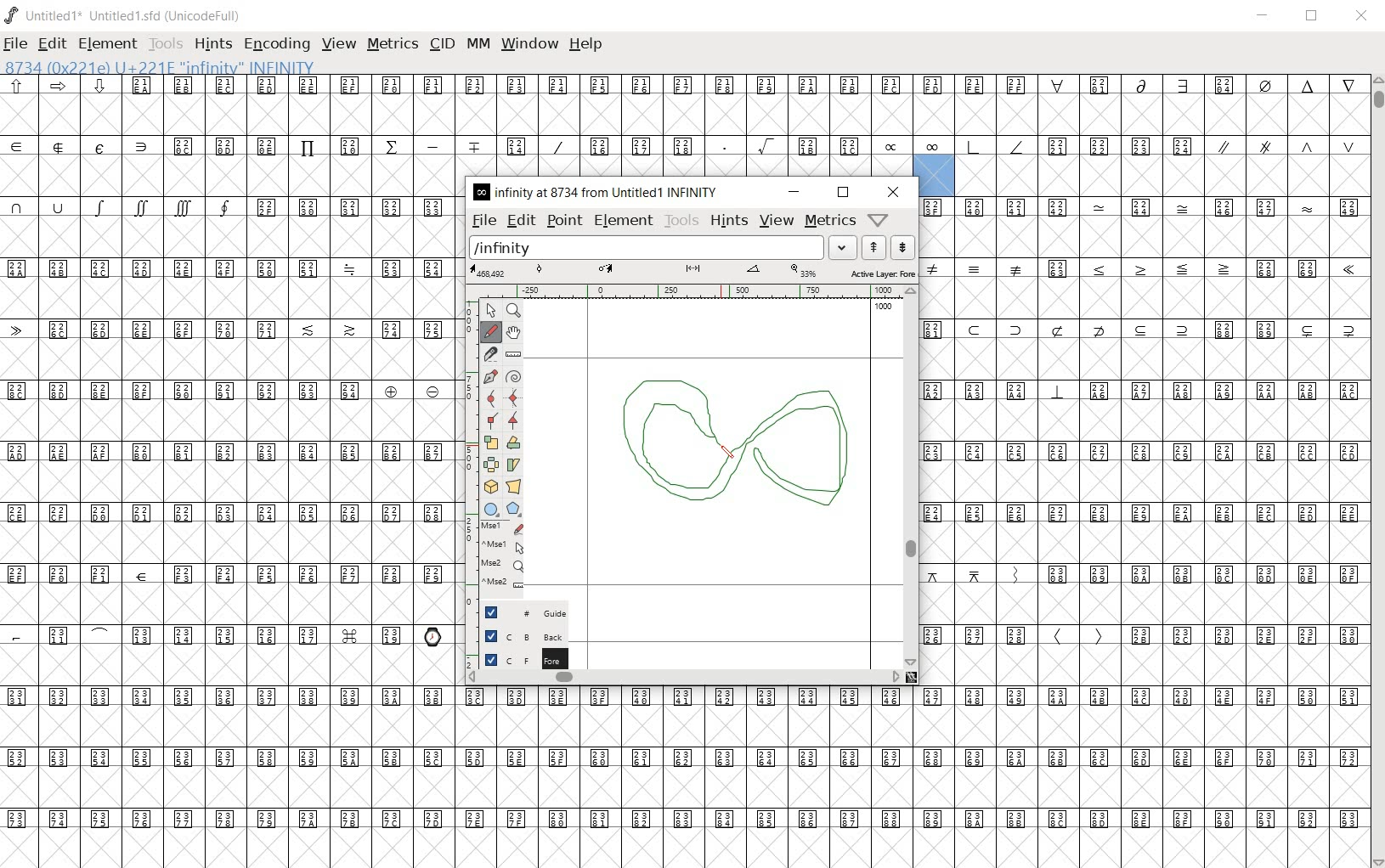  Describe the element at coordinates (167, 44) in the screenshot. I see `tools` at that location.